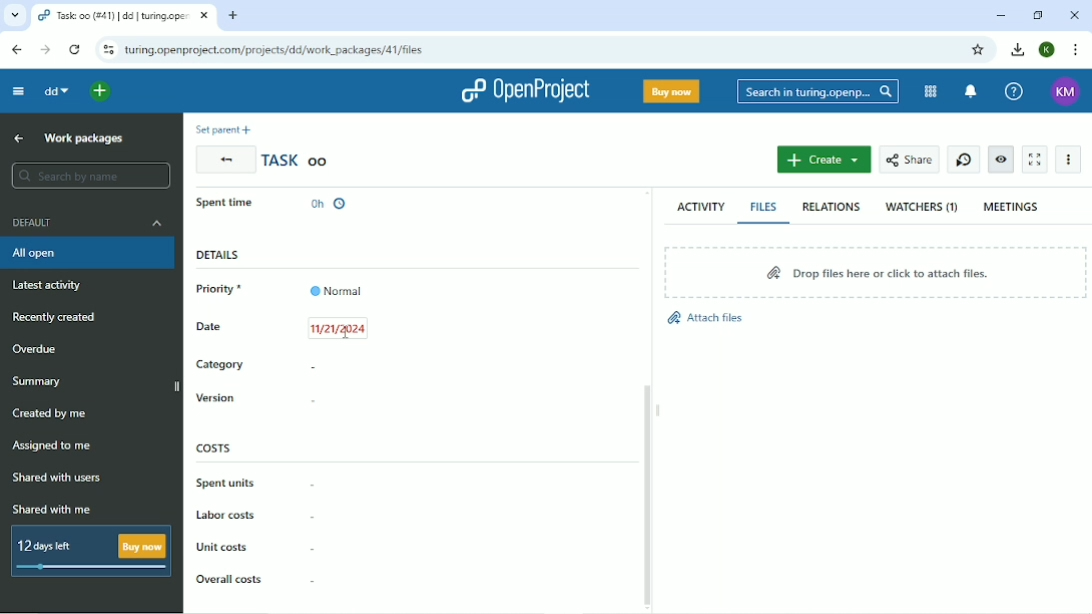 The image size is (1092, 614). Describe the element at coordinates (228, 578) in the screenshot. I see `Overall costs` at that location.